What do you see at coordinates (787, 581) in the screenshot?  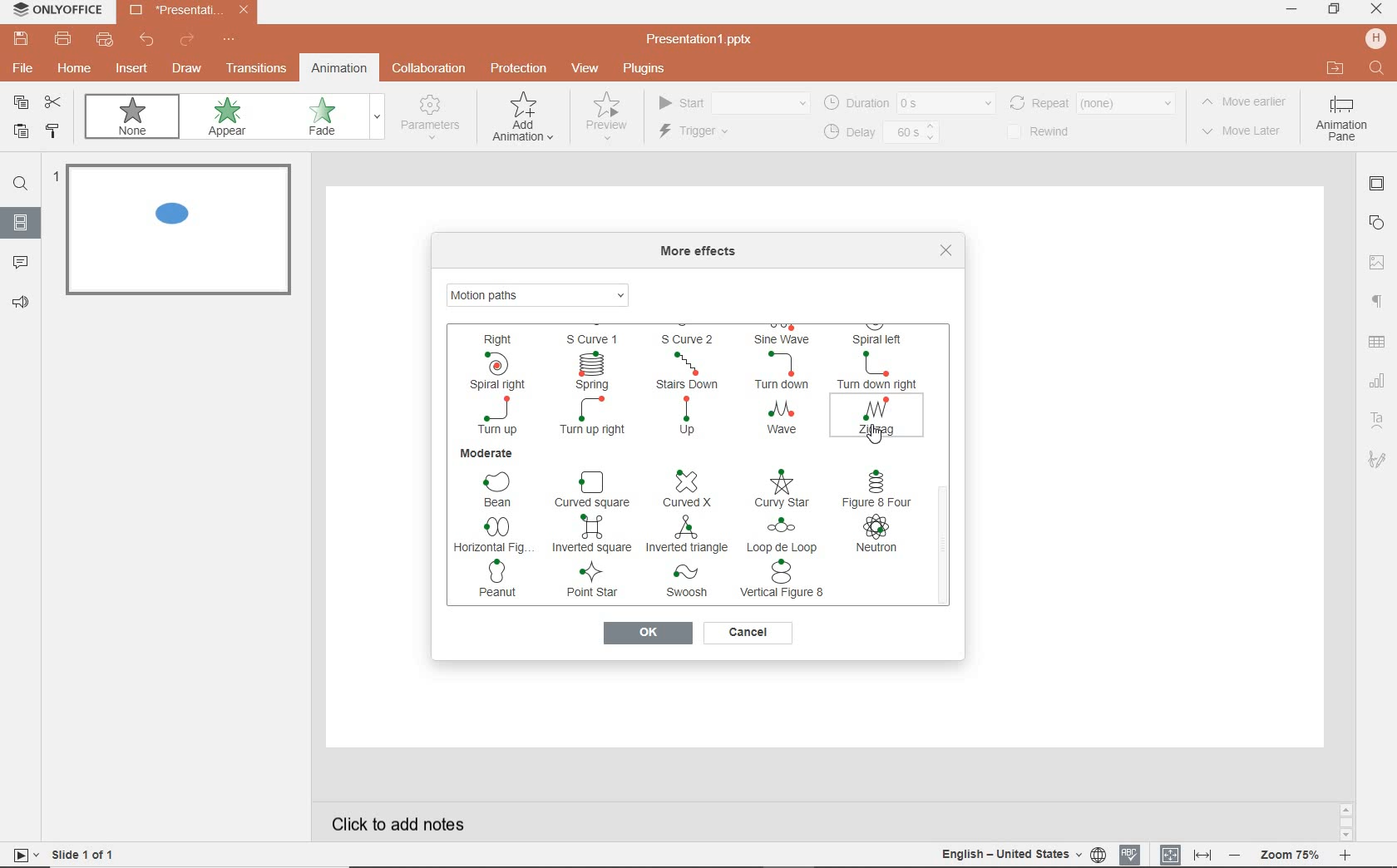 I see `VERTIAL FIGURE` at bounding box center [787, 581].